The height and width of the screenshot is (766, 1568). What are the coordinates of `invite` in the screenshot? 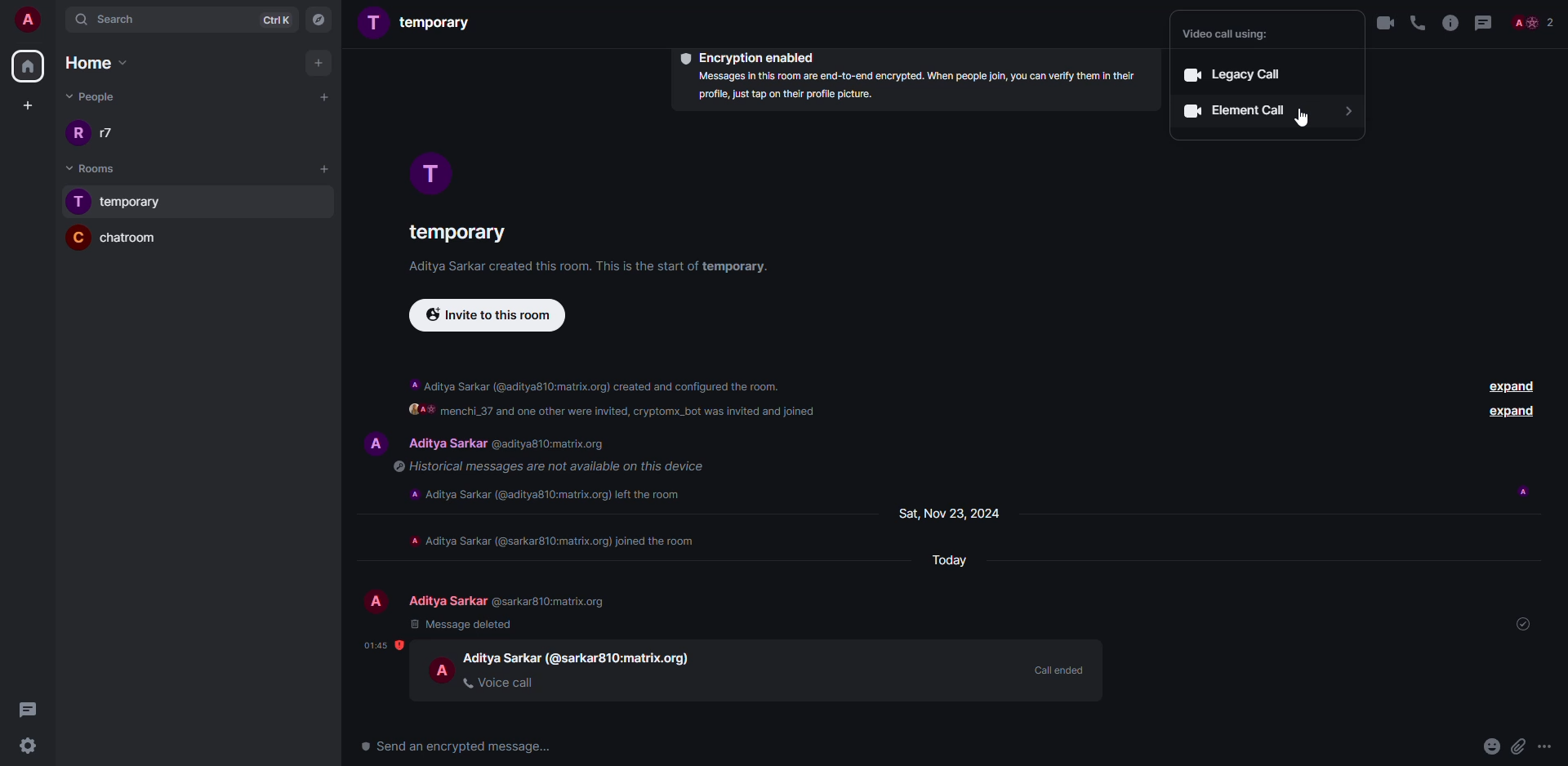 It's located at (488, 318).